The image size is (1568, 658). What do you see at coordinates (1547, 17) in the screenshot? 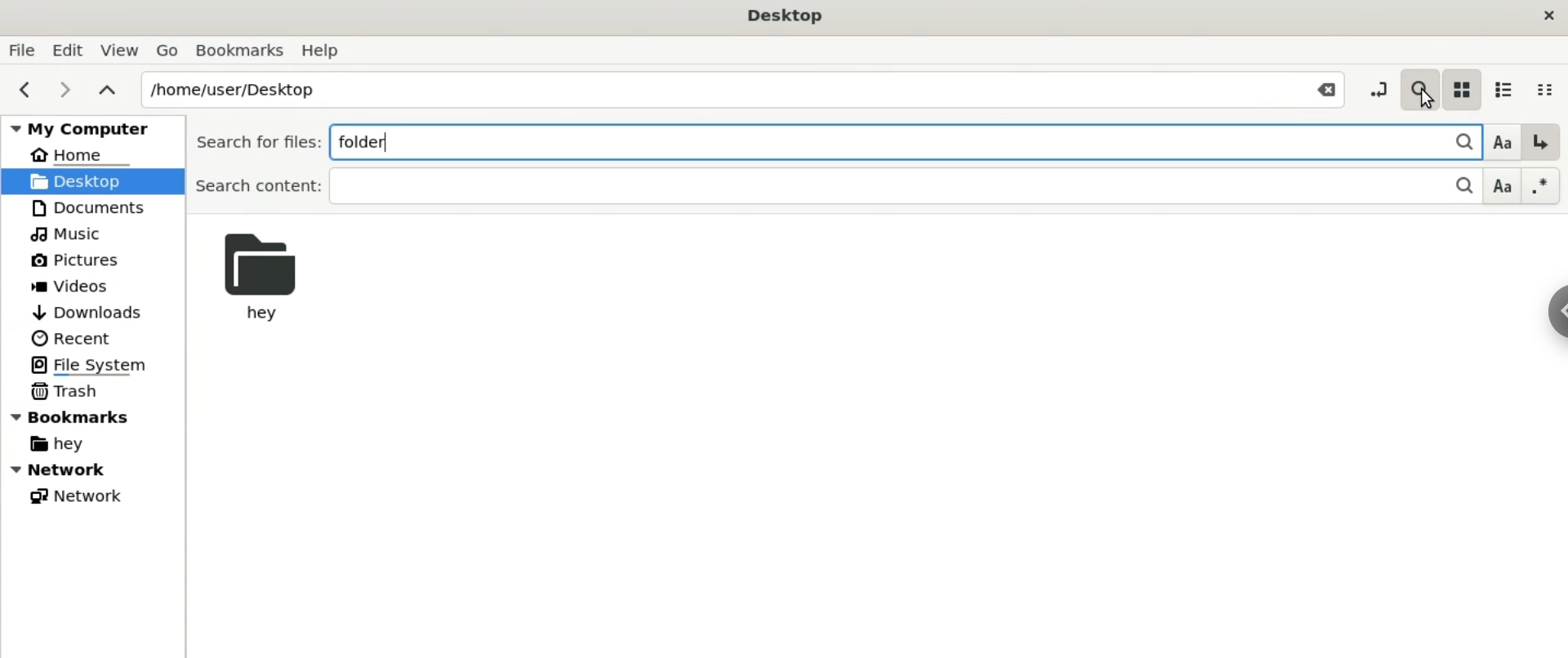
I see `close` at bounding box center [1547, 17].